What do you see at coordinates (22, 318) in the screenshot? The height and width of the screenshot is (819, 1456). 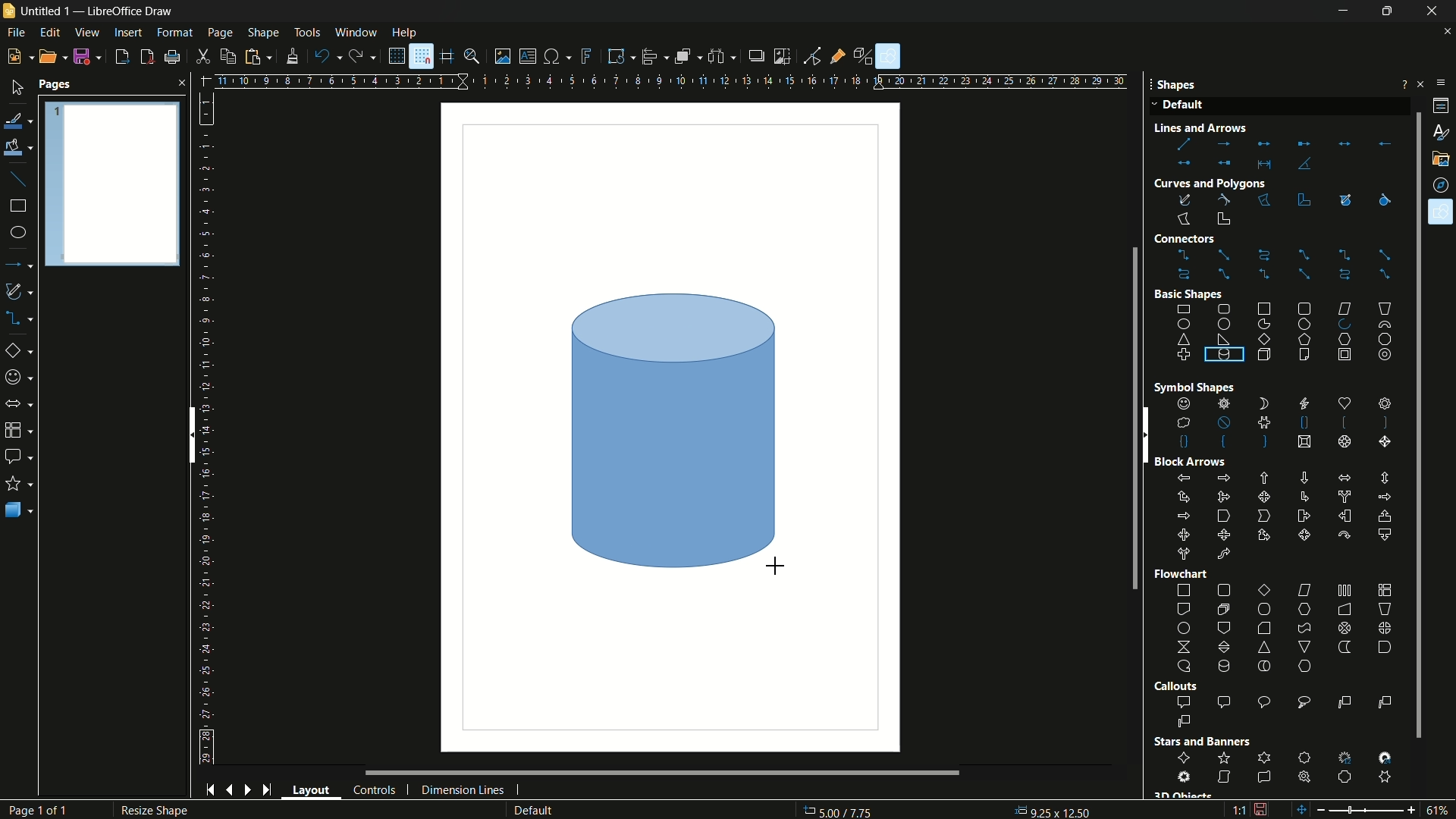 I see `connectors` at bounding box center [22, 318].